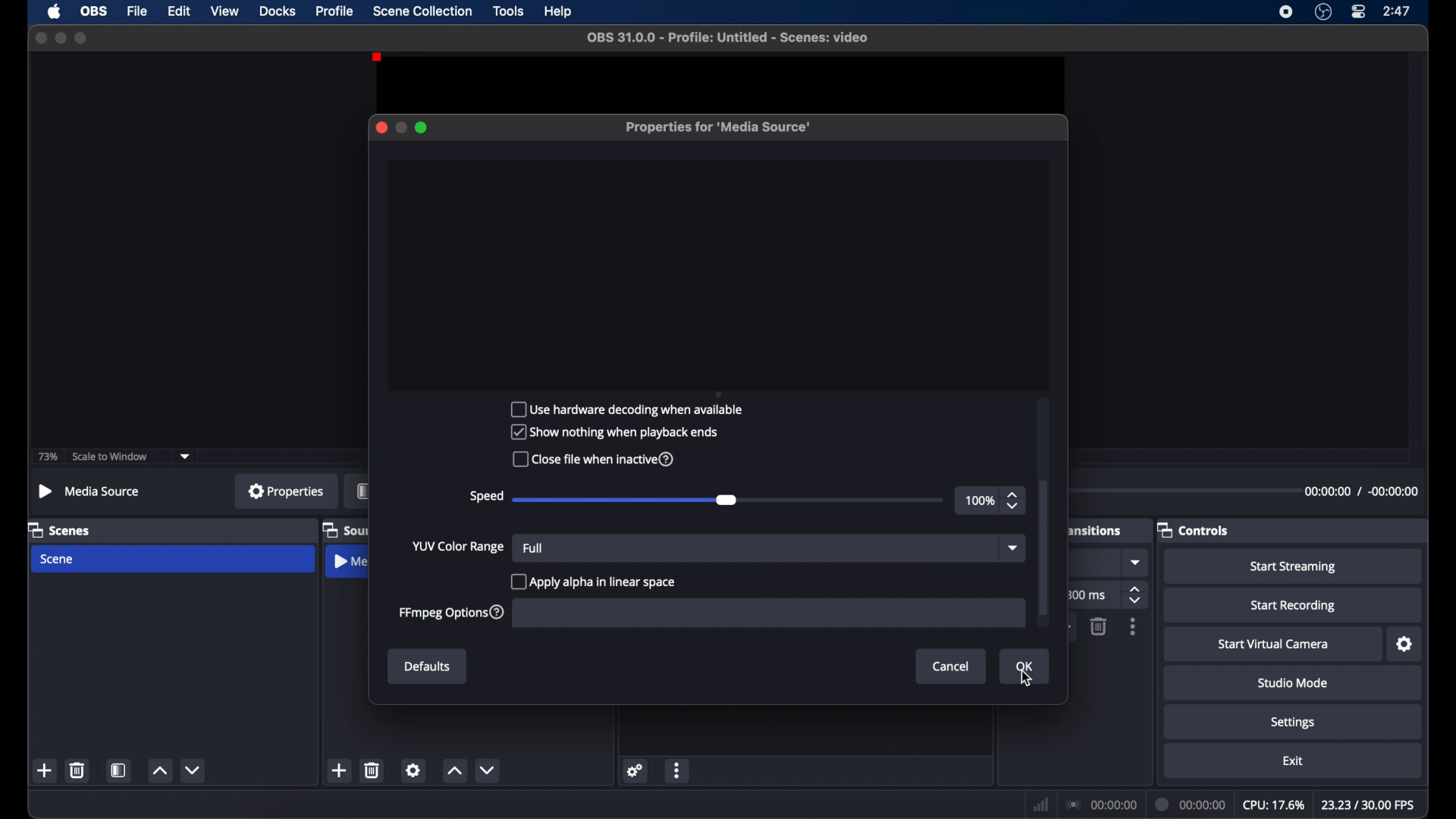  What do you see at coordinates (110, 457) in the screenshot?
I see `scale to window` at bounding box center [110, 457].